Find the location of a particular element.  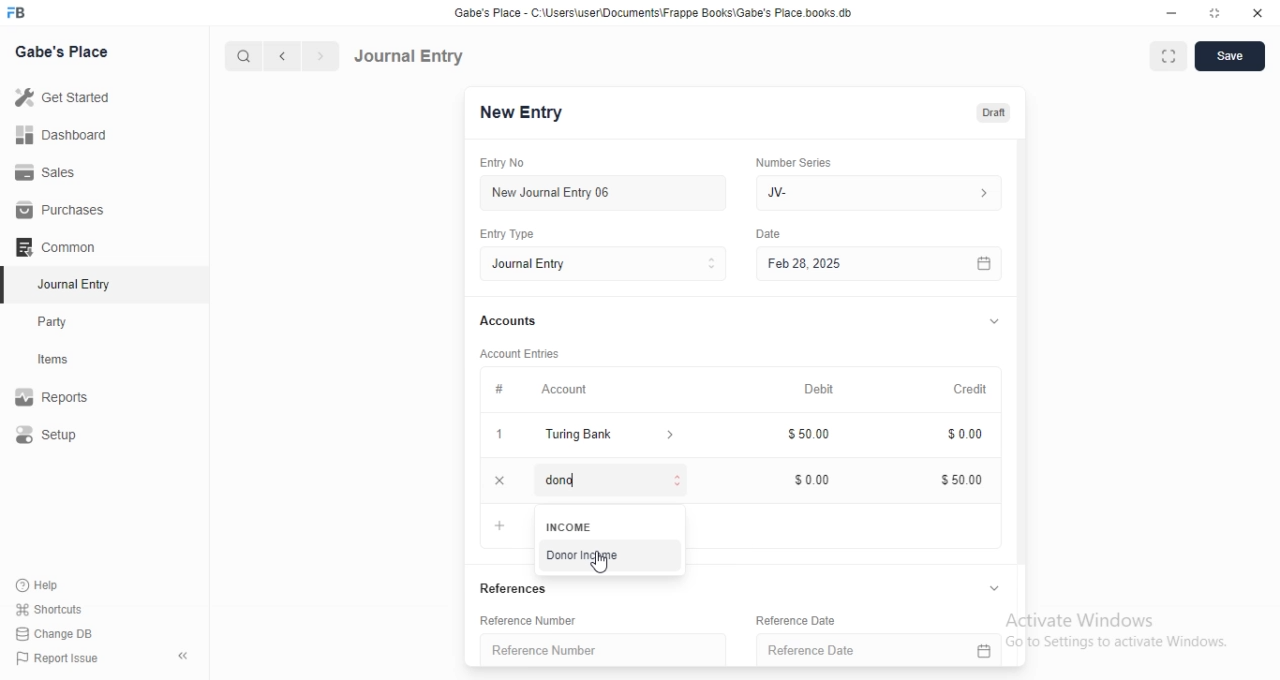

Entry Type is located at coordinates (602, 264).